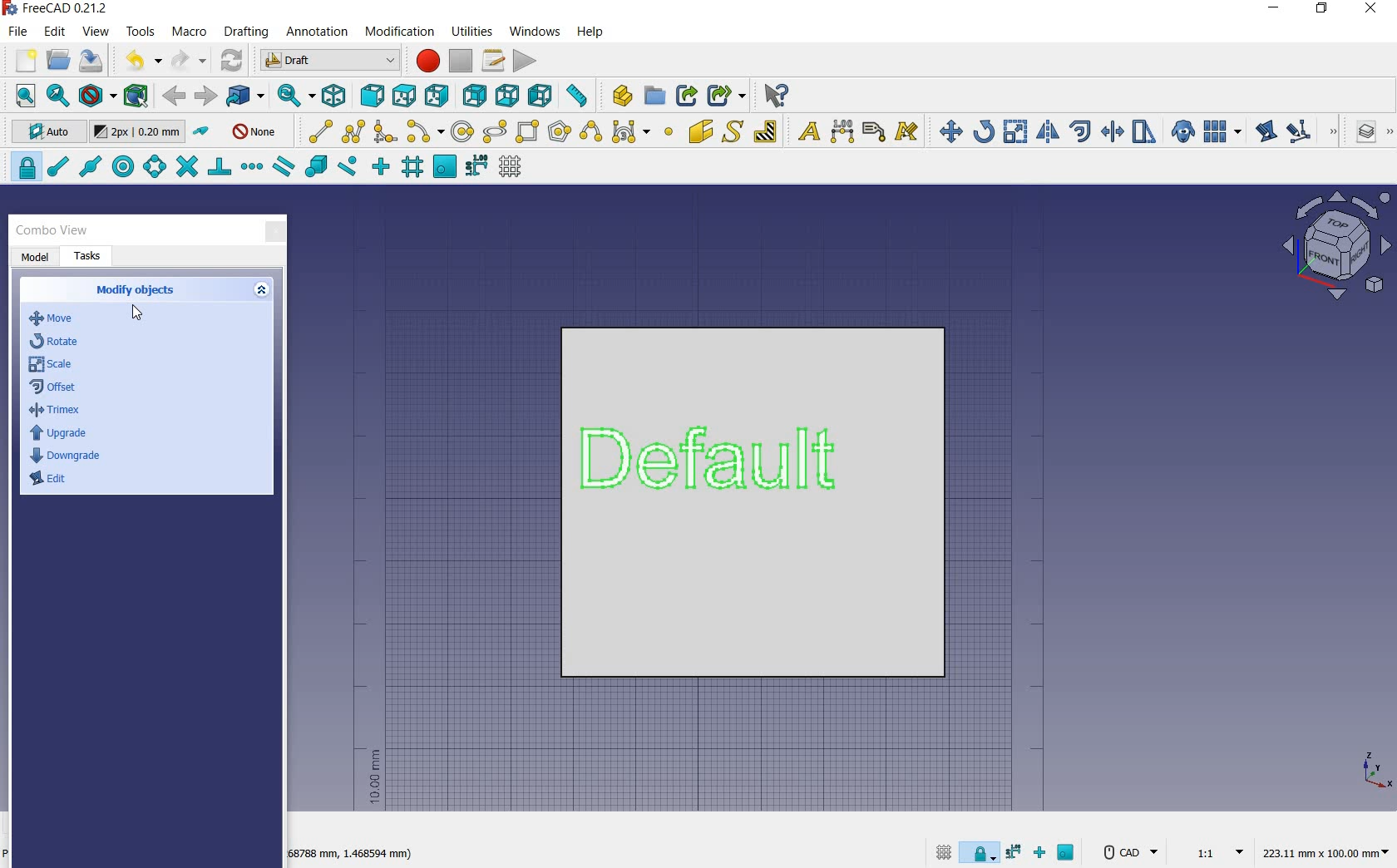 The image size is (1397, 868). Describe the element at coordinates (1376, 770) in the screenshot. I see `xyz point` at that location.